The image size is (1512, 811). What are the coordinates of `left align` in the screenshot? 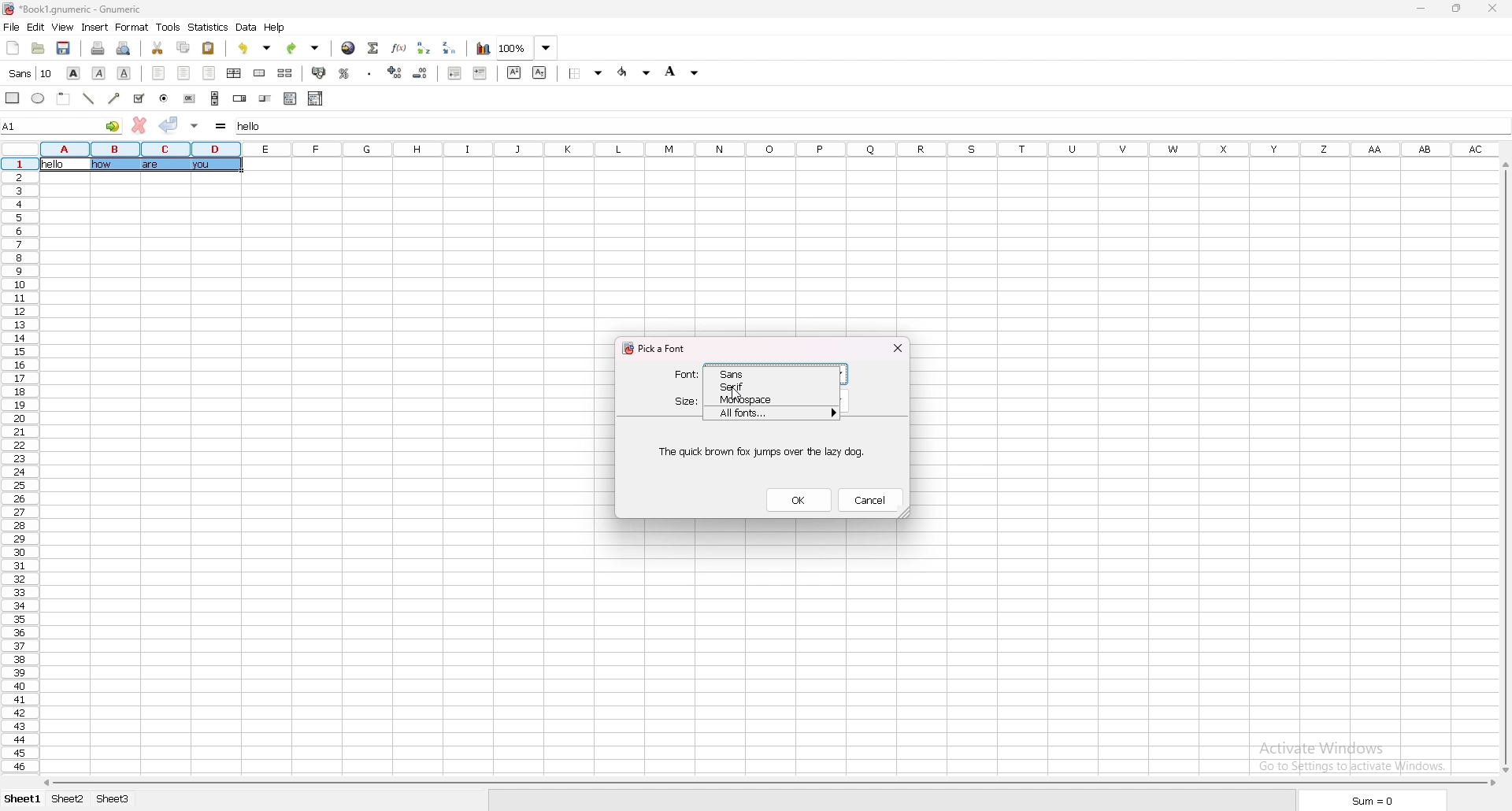 It's located at (159, 73).